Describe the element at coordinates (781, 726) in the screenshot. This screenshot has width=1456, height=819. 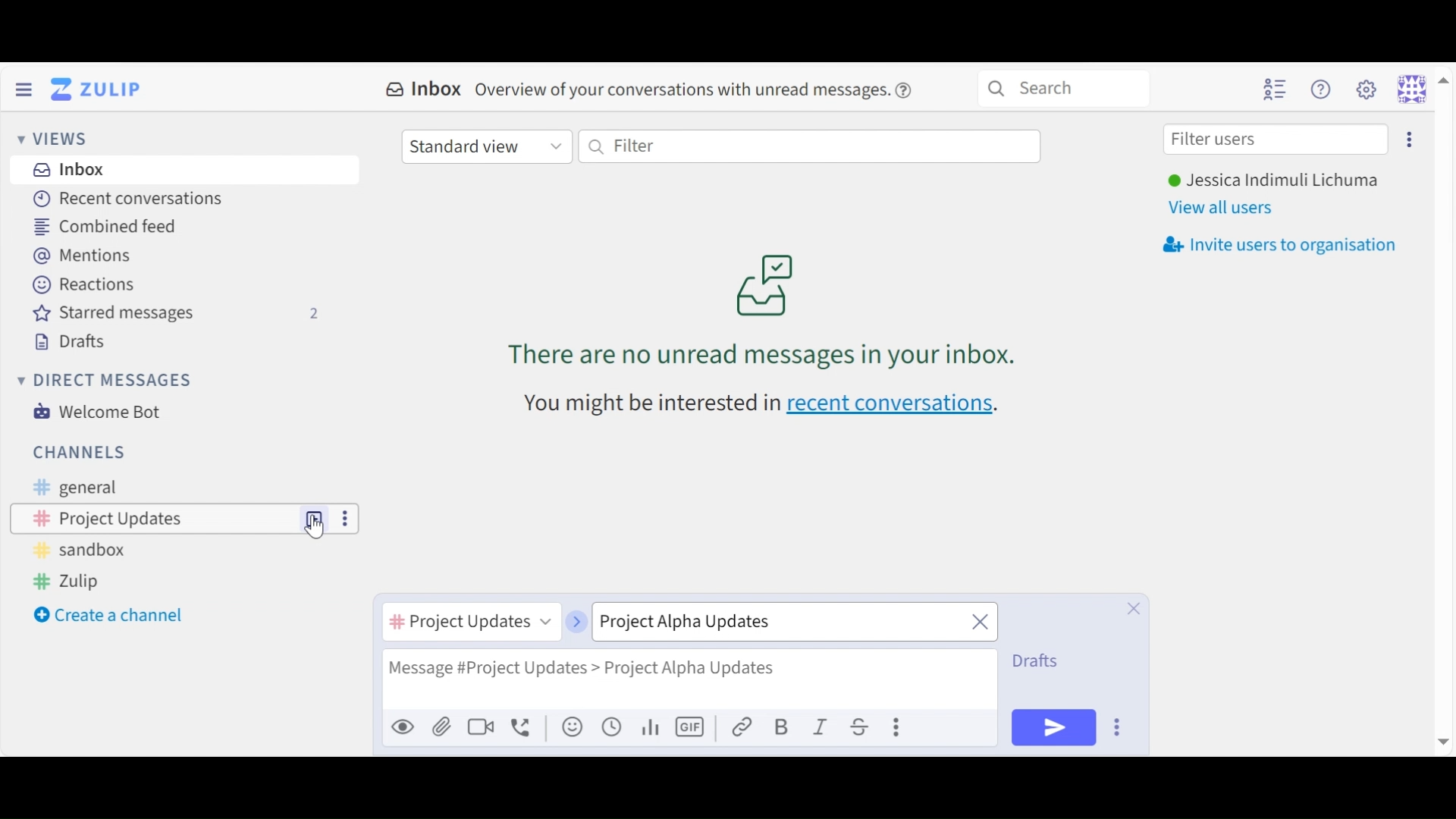
I see `Bold` at that location.